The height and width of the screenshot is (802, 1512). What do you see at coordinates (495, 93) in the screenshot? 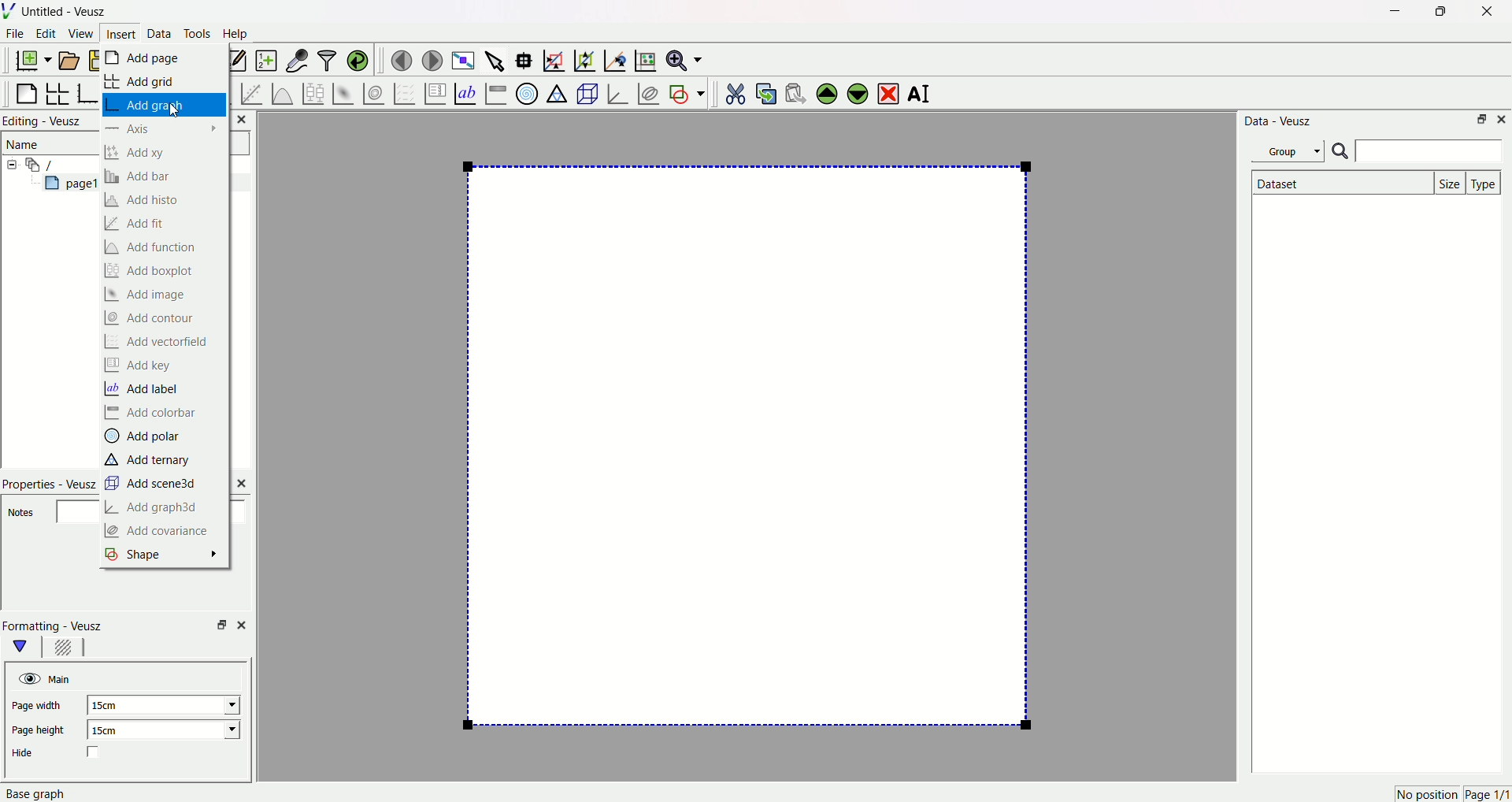
I see `image color bar` at bounding box center [495, 93].